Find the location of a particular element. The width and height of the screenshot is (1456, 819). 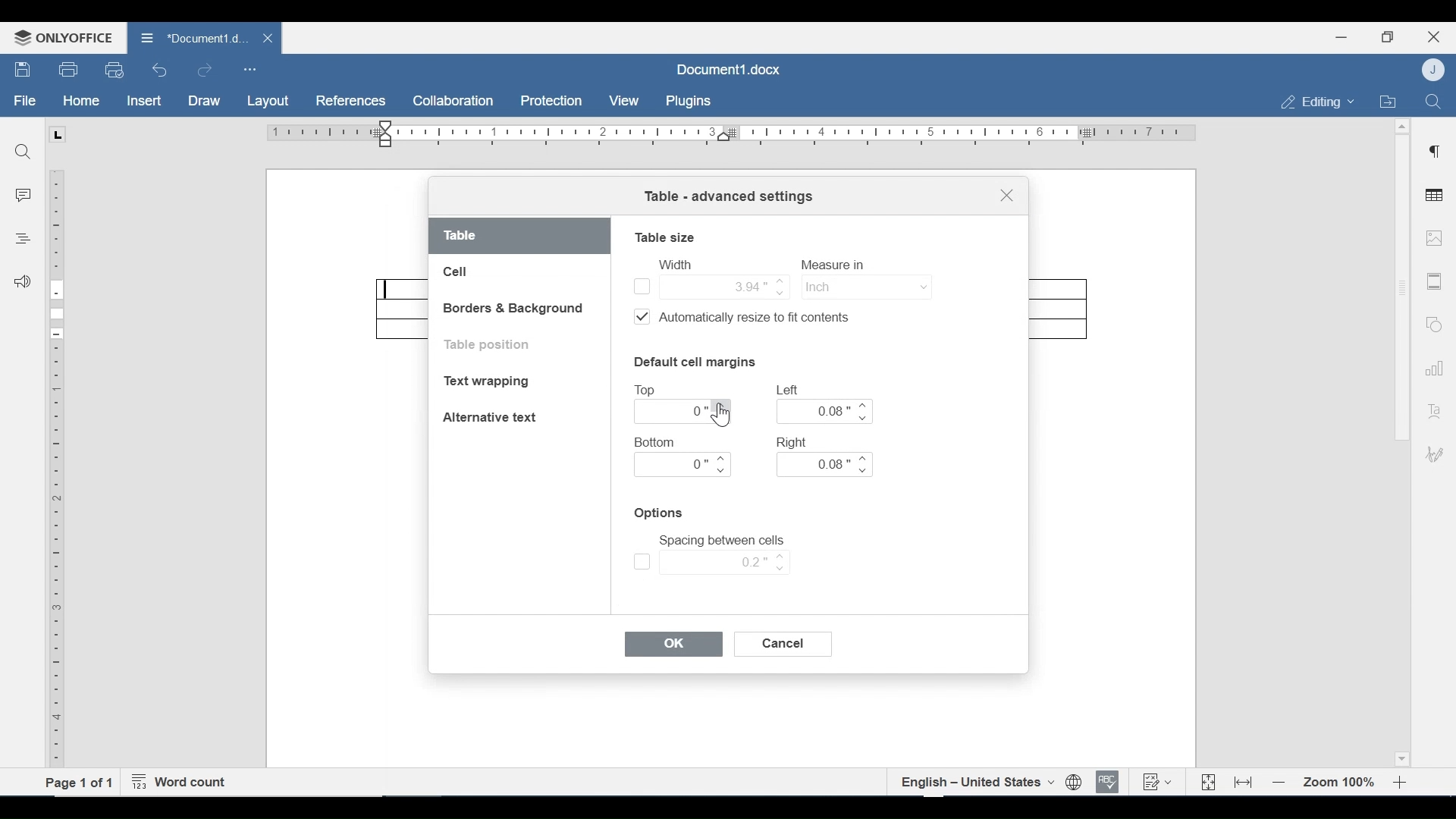

Zoom 100% is located at coordinates (1340, 783).